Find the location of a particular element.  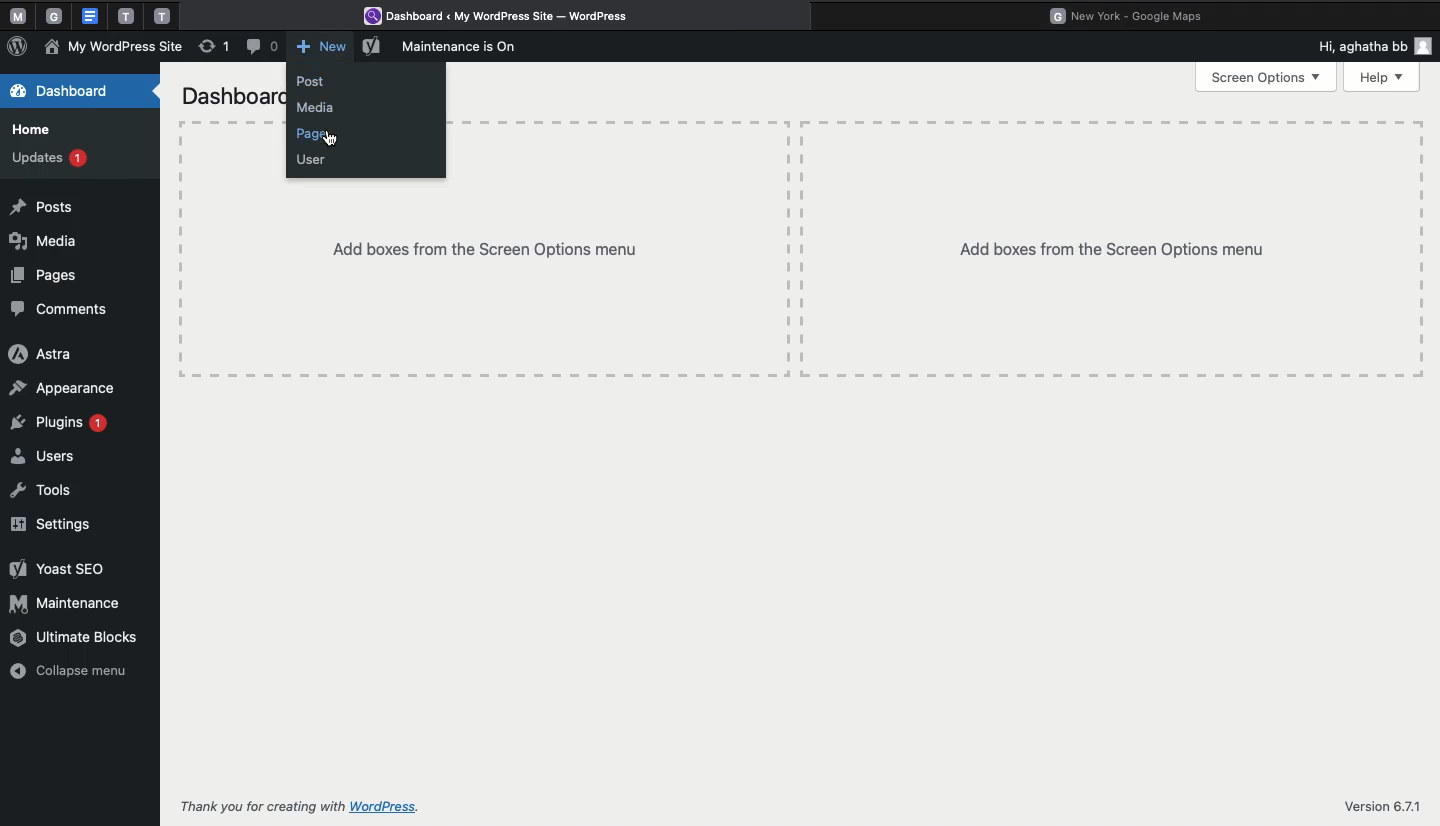

tab is located at coordinates (164, 15).